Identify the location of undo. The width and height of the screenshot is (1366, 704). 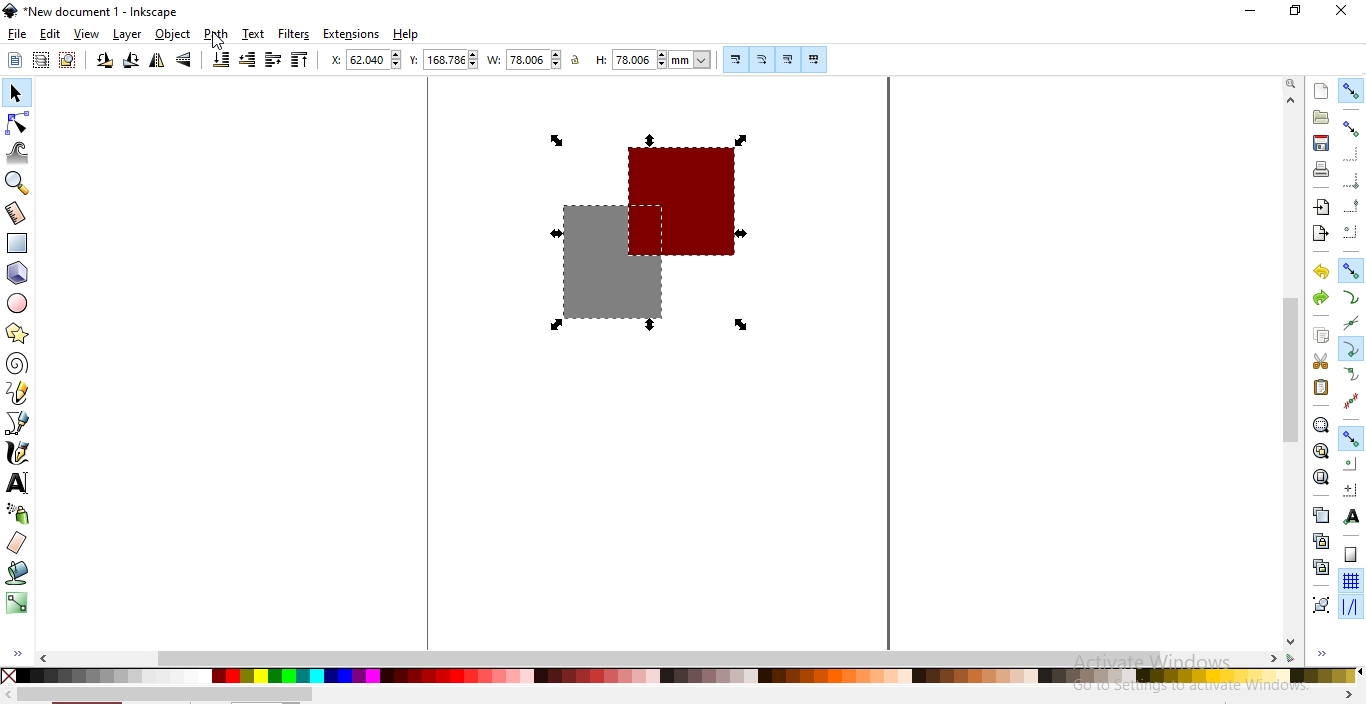
(1321, 272).